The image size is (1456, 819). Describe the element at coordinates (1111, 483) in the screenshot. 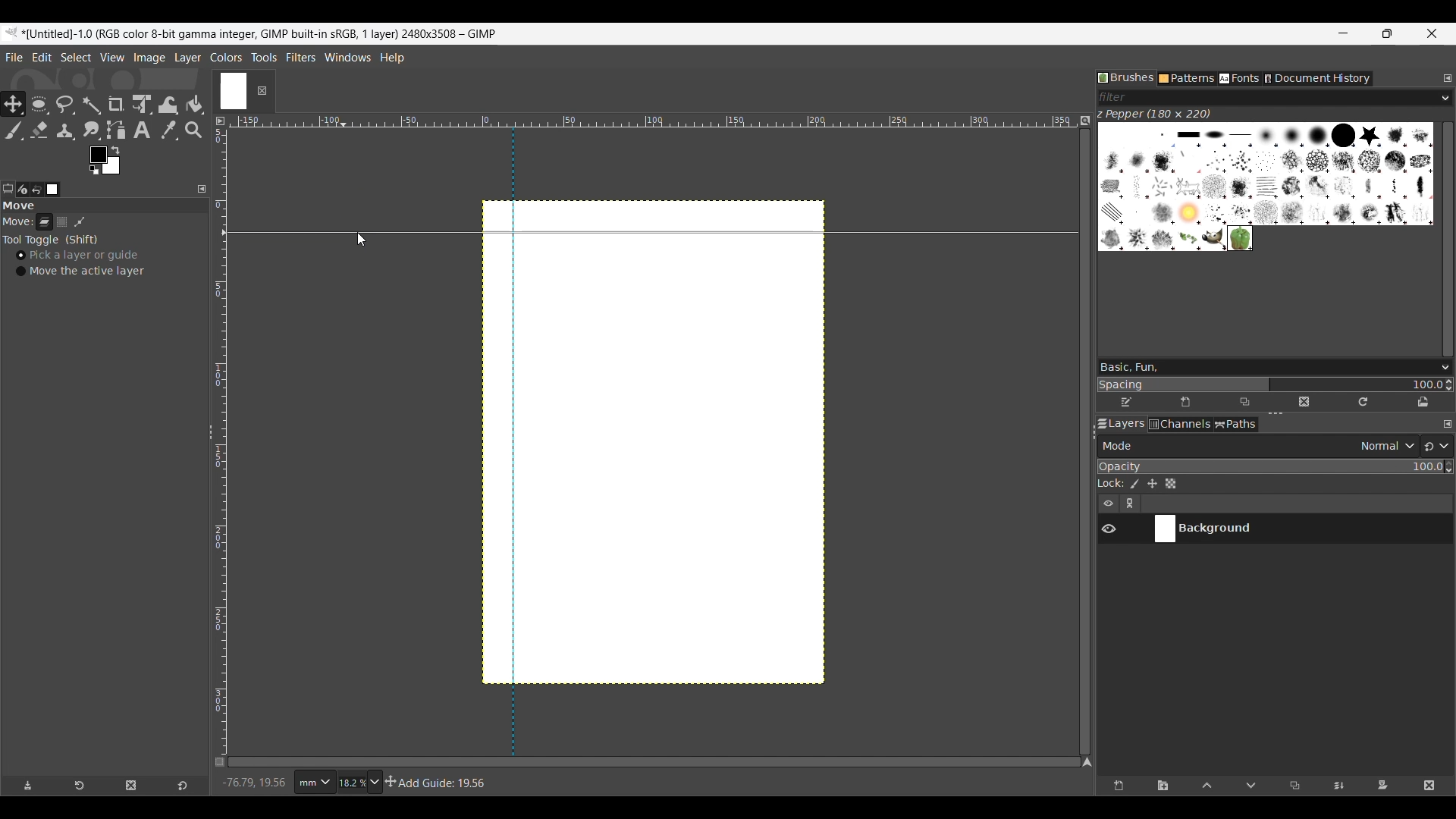

I see `Indicates lock settings` at that location.